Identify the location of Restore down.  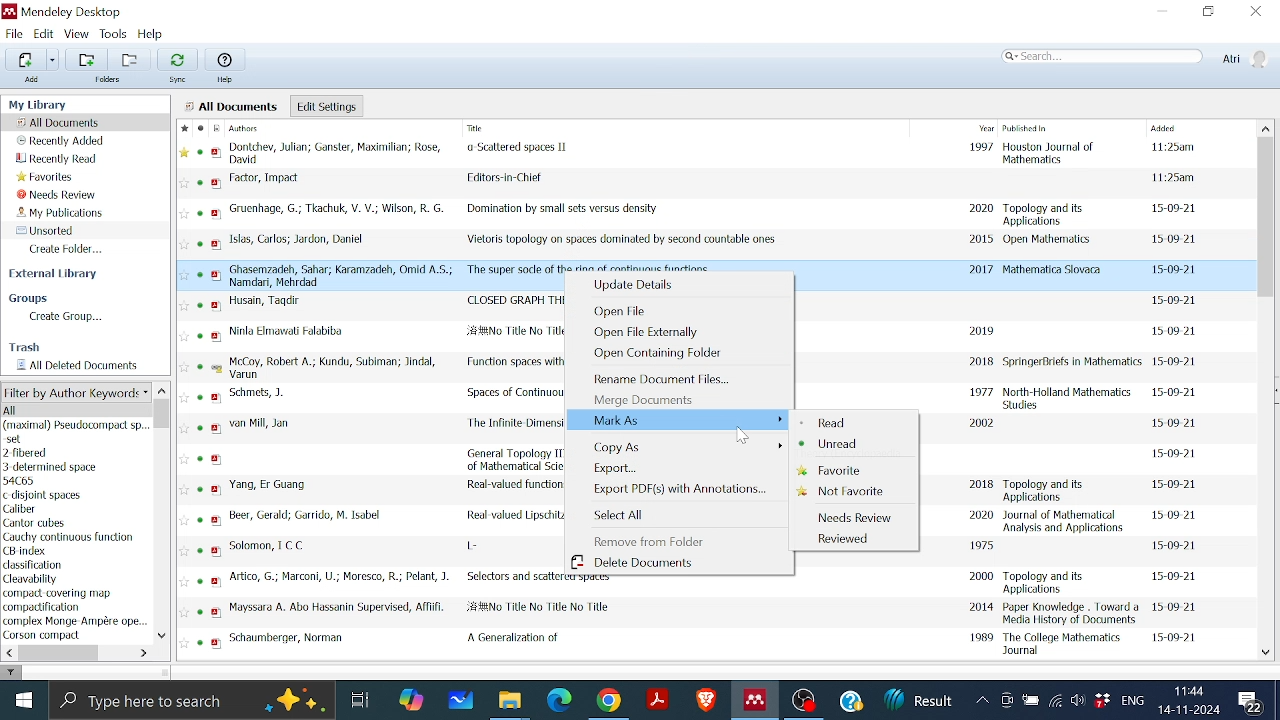
(1206, 12).